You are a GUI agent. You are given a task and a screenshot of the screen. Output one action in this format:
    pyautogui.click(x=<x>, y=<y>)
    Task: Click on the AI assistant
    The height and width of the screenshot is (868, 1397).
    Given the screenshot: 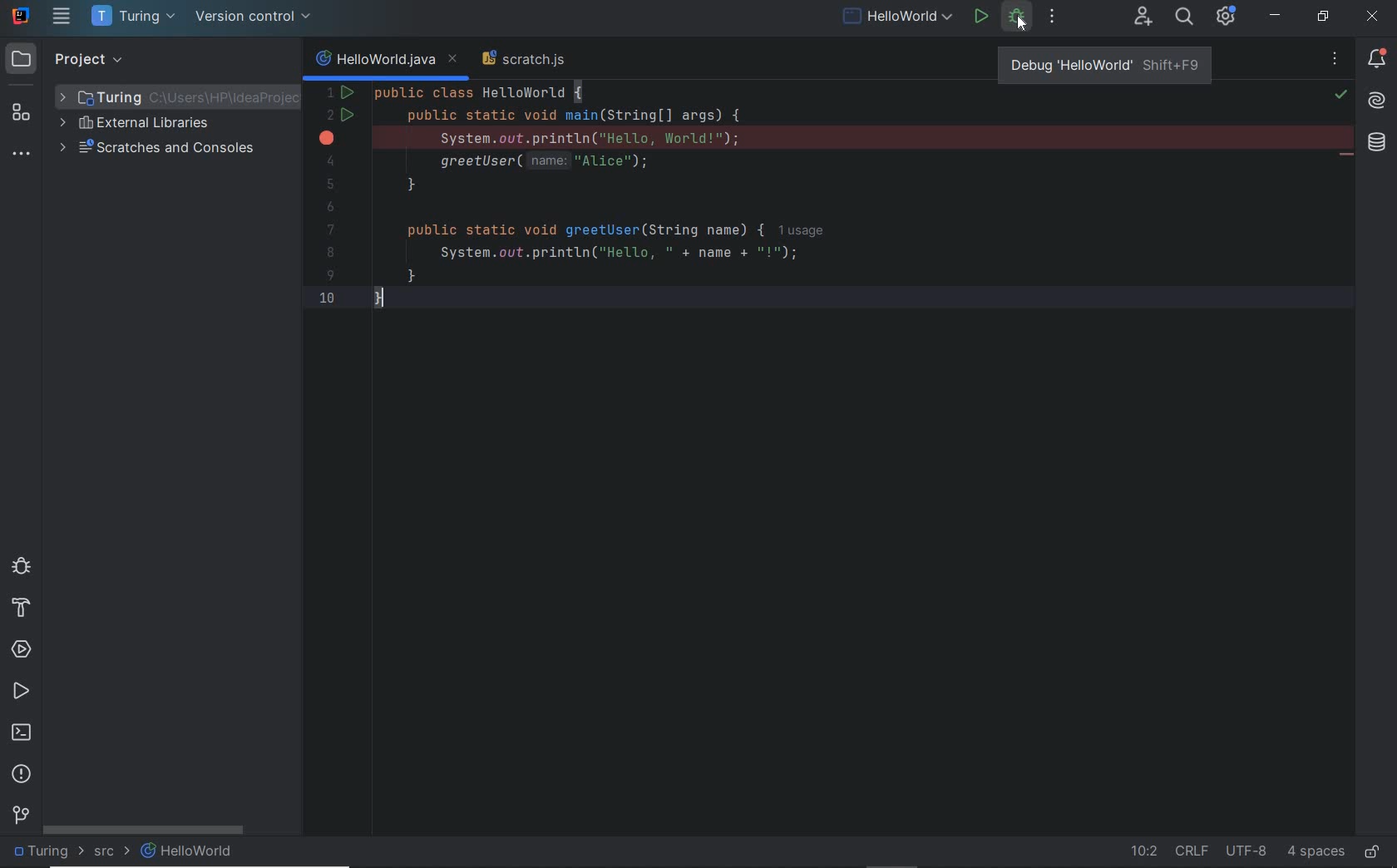 What is the action you would take?
    pyautogui.click(x=1377, y=101)
    